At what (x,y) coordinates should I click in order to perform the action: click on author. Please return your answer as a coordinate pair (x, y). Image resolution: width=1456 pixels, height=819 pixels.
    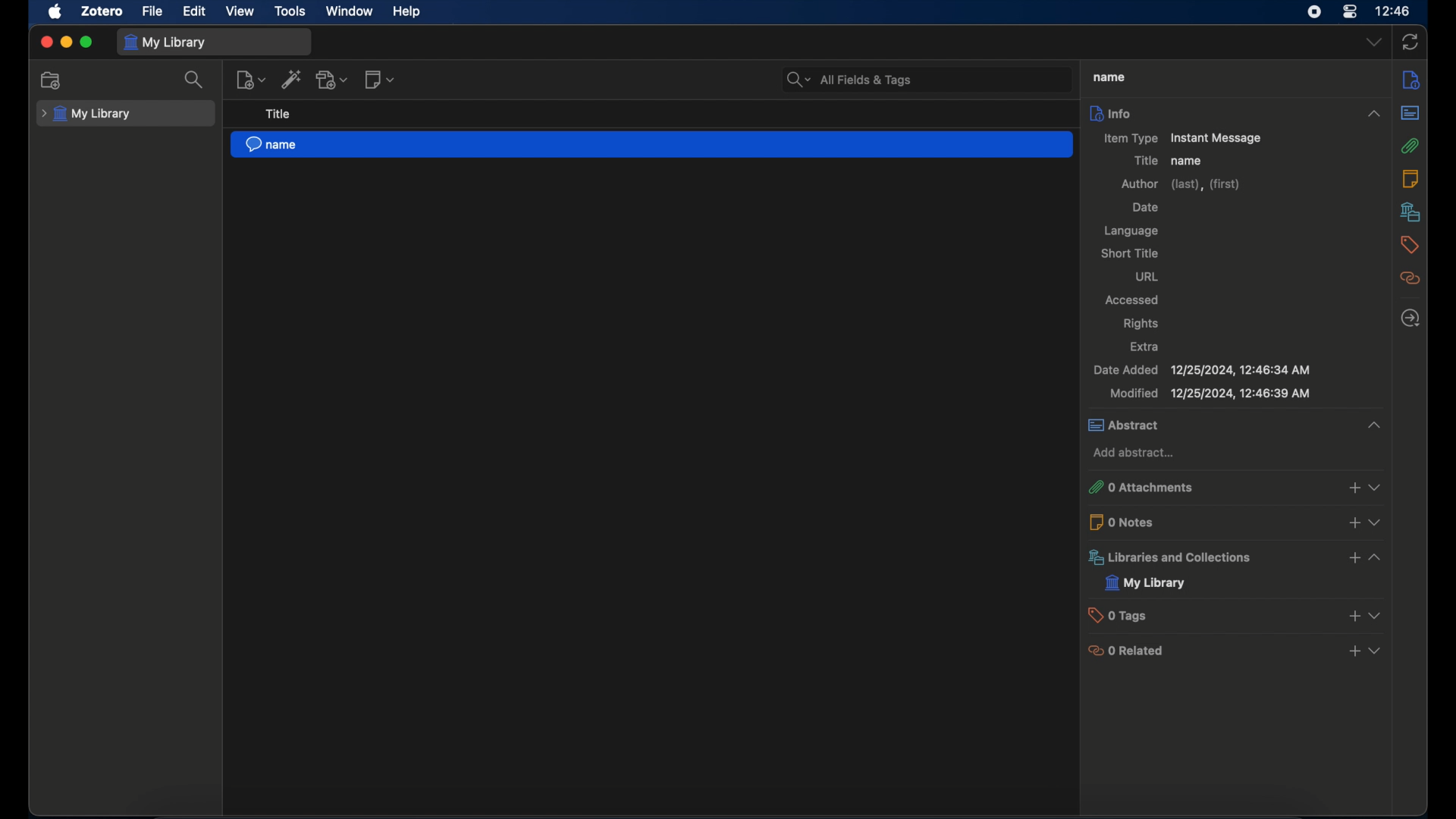
    Looking at the image, I should click on (1180, 184).